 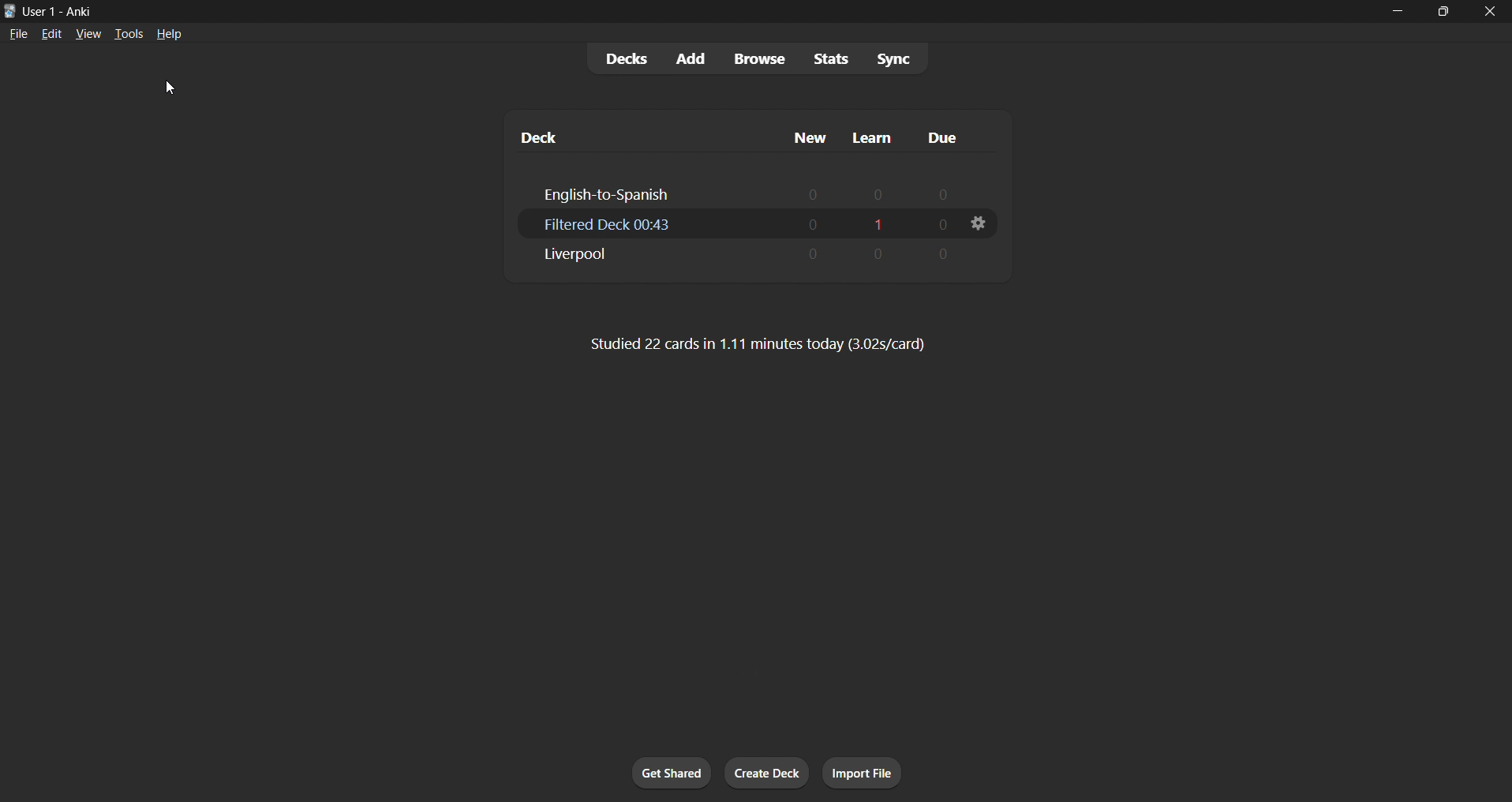 I want to click on decks, so click(x=612, y=57).